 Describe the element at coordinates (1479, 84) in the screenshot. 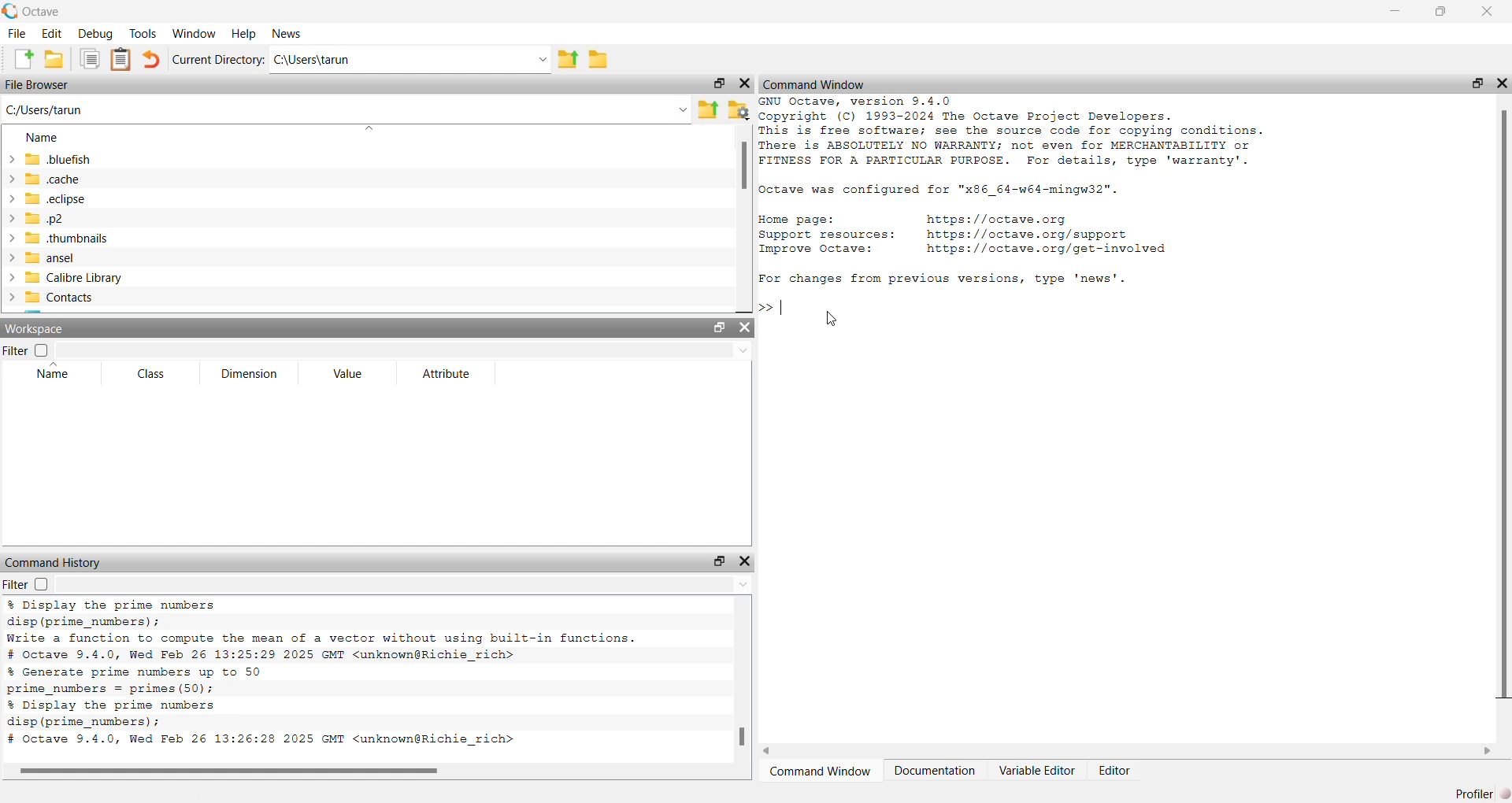

I see `open in separate window` at that location.